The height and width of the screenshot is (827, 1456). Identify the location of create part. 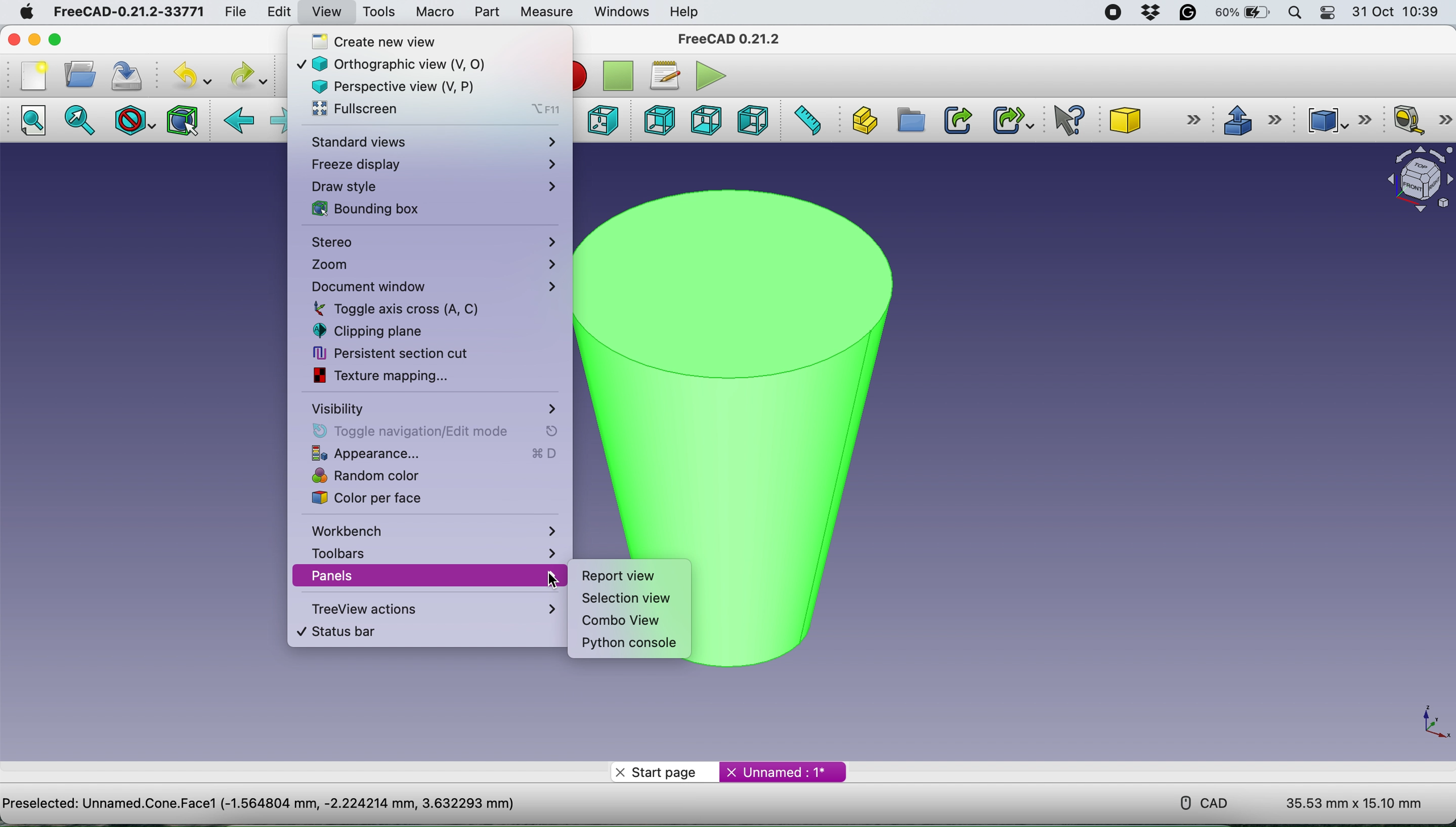
(864, 119).